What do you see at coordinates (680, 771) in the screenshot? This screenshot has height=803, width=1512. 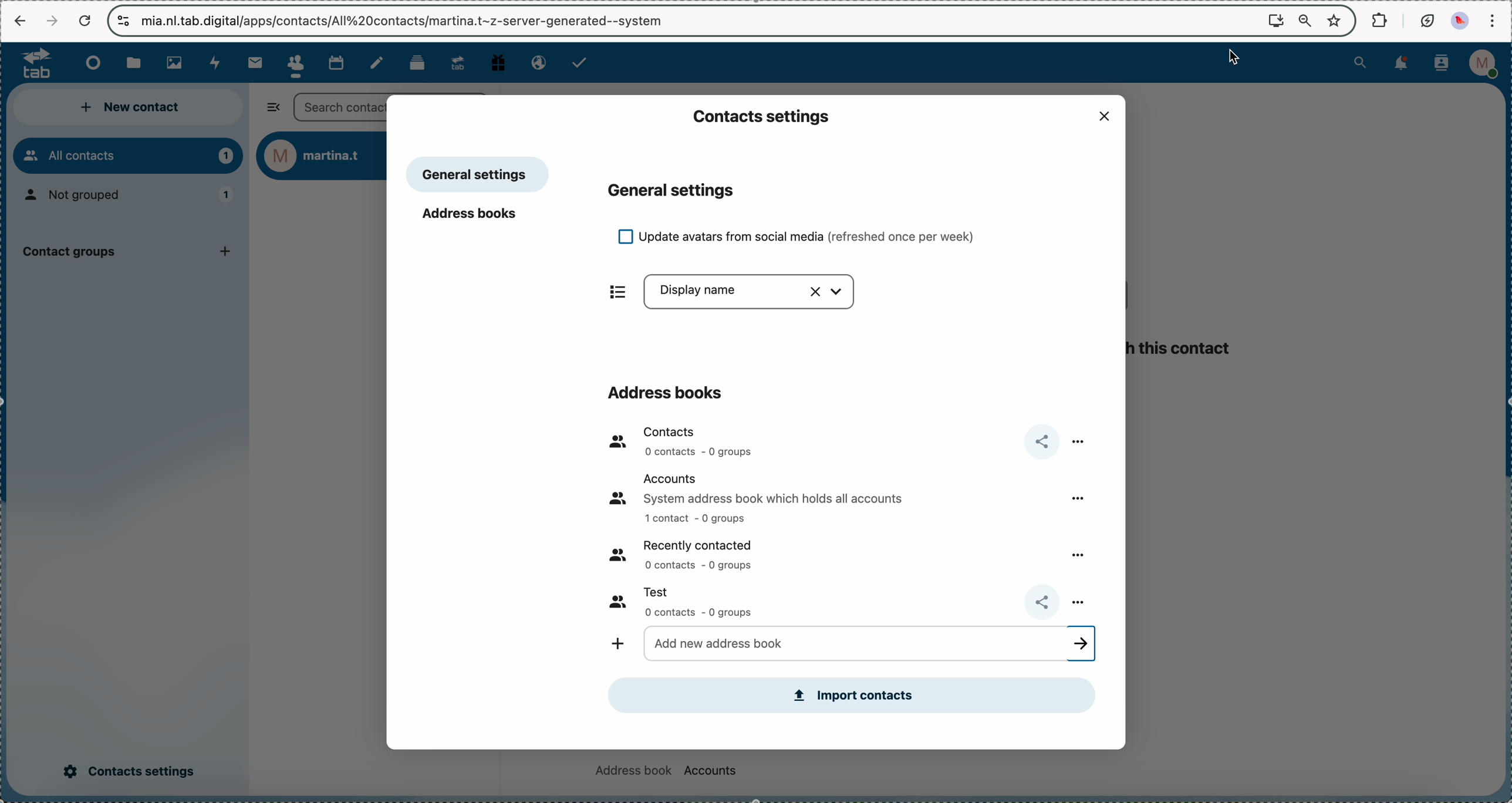 I see `address book` at bounding box center [680, 771].